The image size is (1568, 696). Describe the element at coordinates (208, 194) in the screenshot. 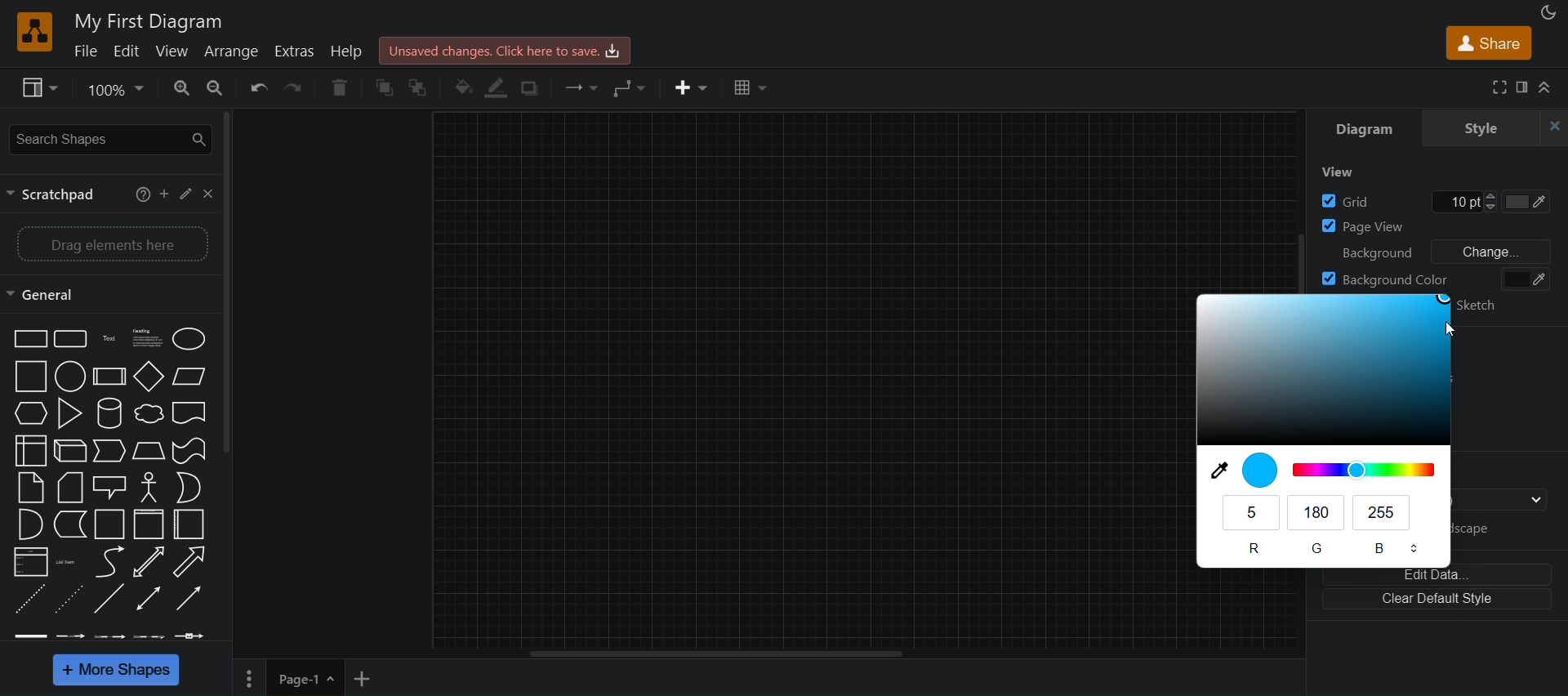

I see `close` at that location.